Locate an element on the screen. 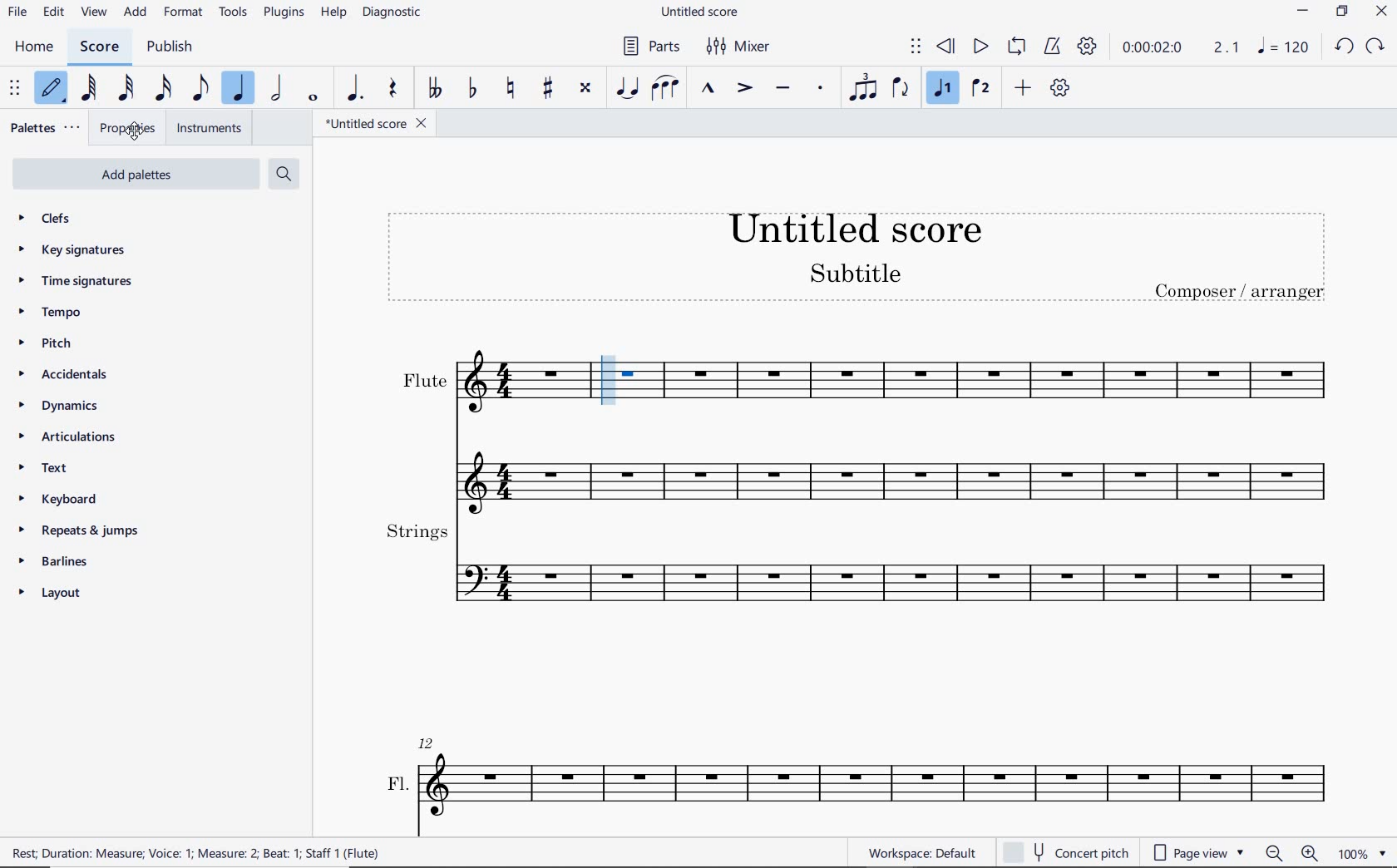 Image resolution: width=1397 pixels, height=868 pixels. TUPLET is located at coordinates (866, 86).